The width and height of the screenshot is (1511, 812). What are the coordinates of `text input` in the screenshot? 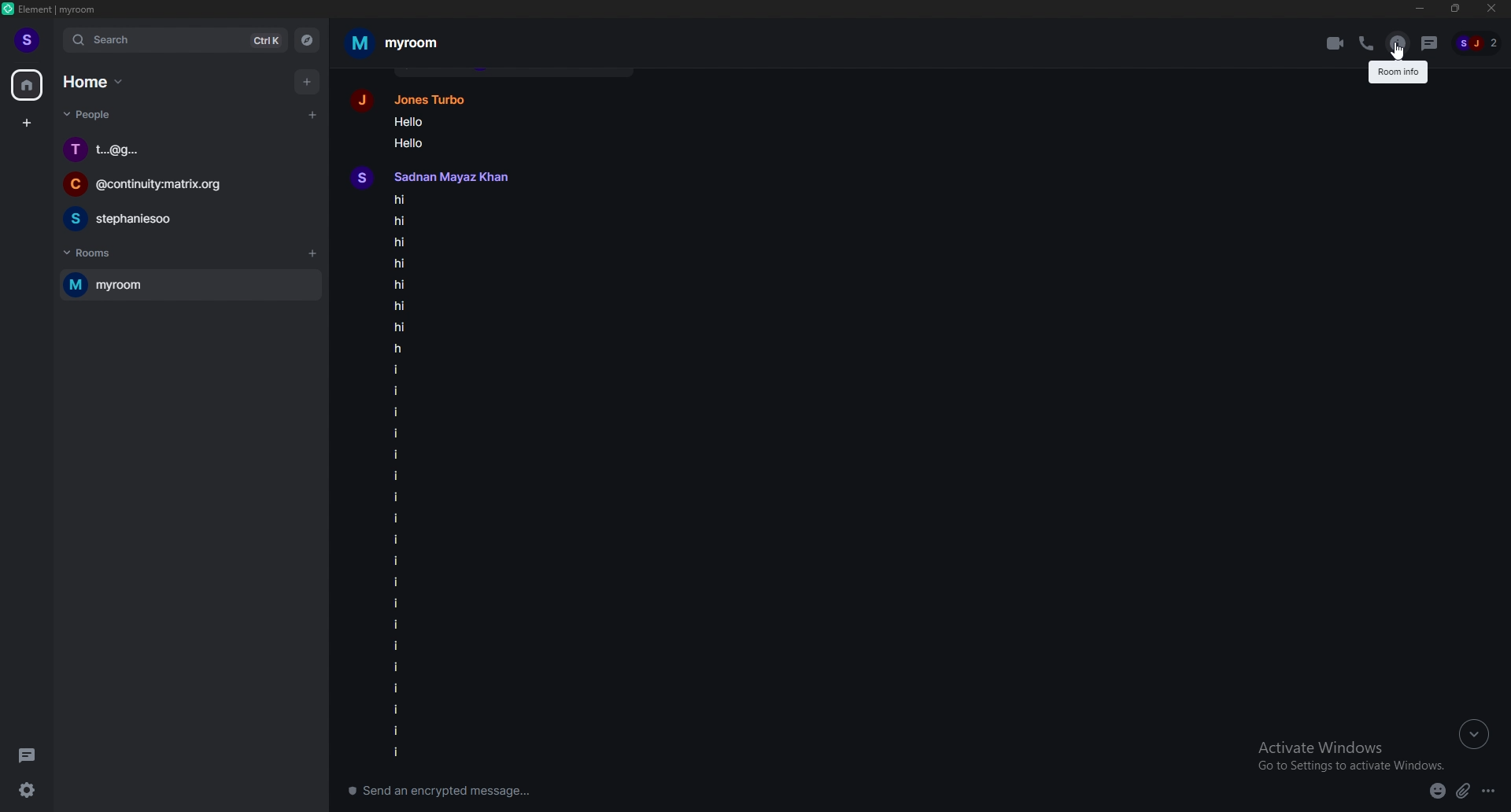 It's located at (616, 792).